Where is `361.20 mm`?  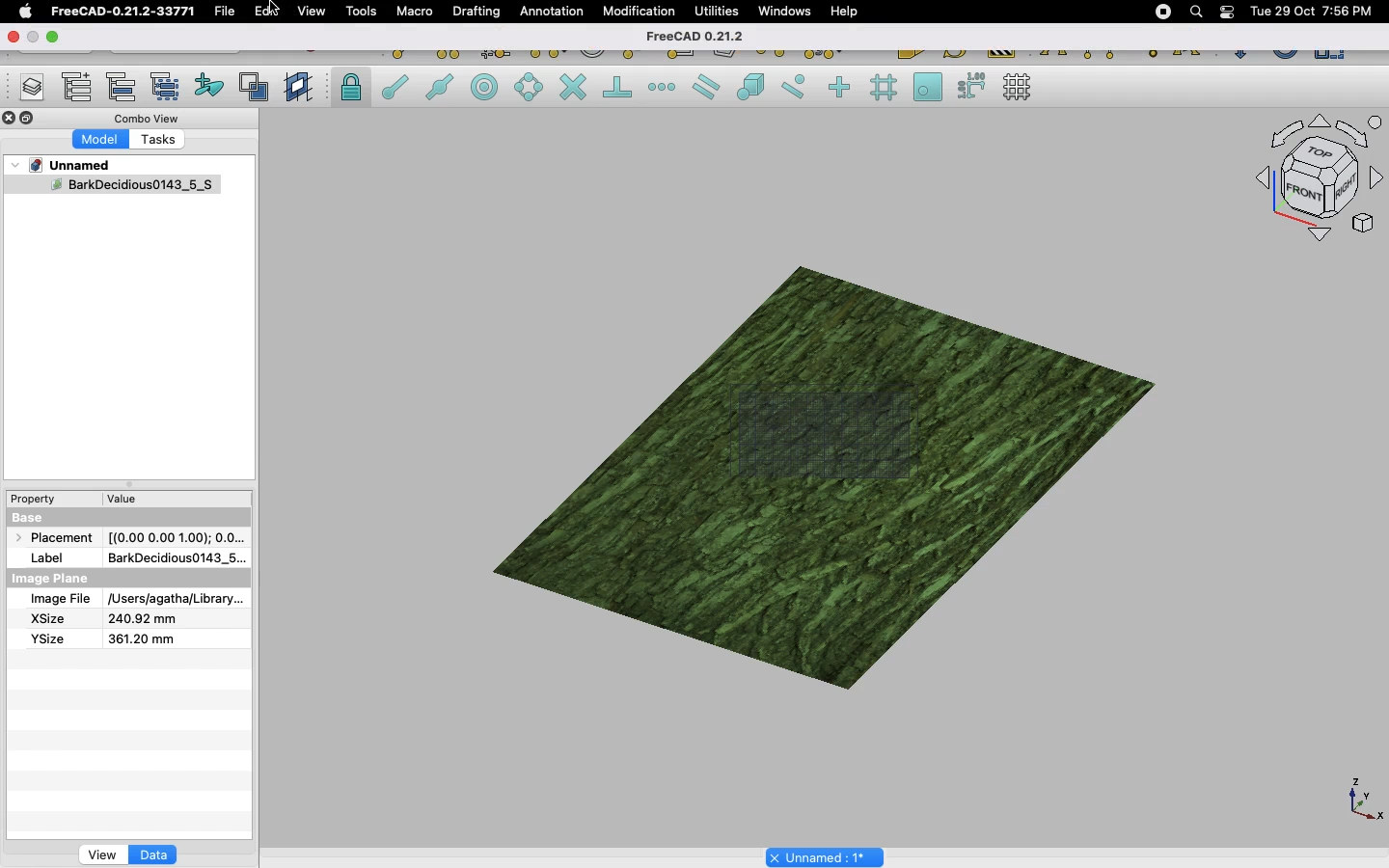
361.20 mm is located at coordinates (139, 638).